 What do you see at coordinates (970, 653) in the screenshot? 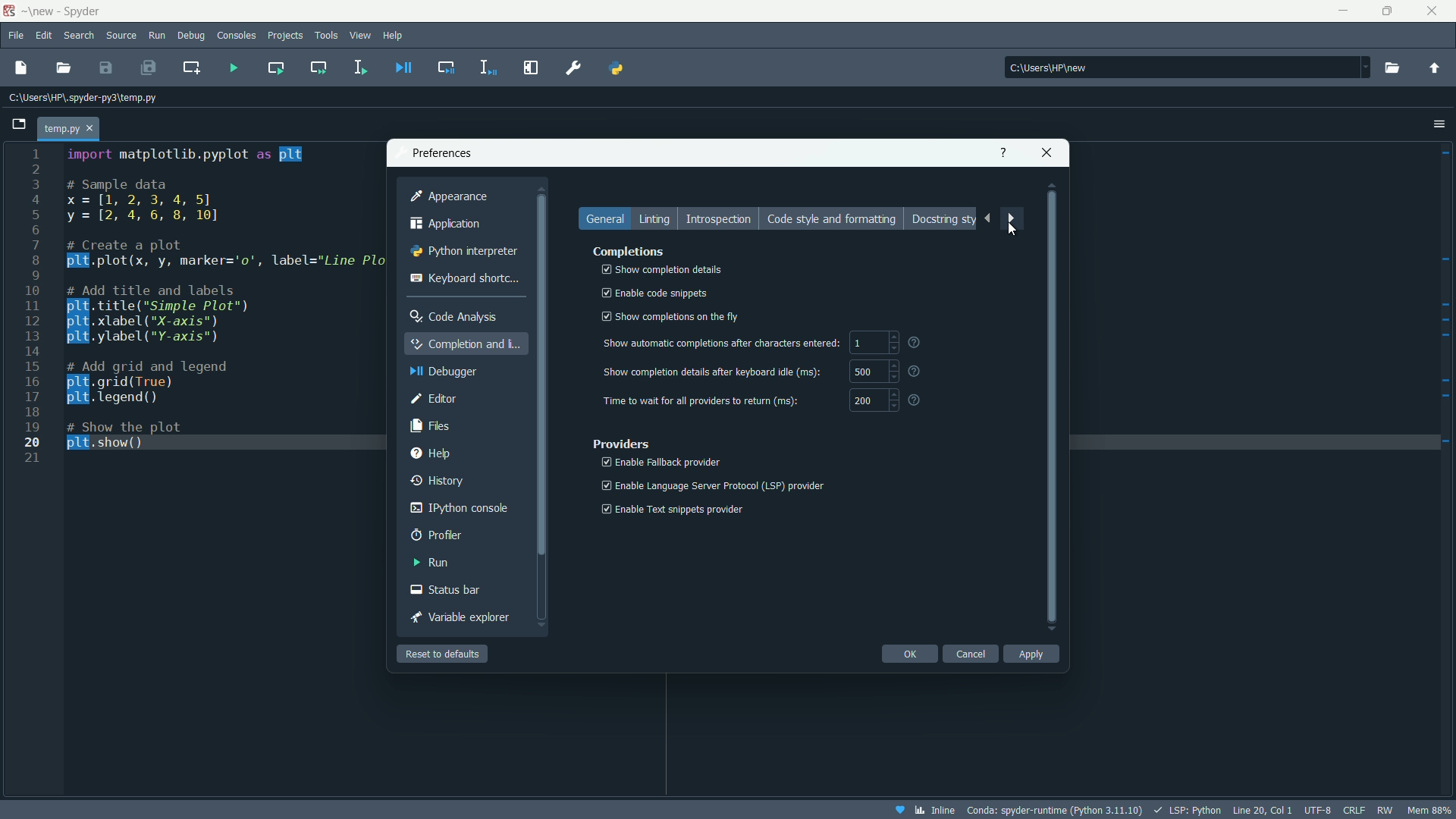
I see `cancel` at bounding box center [970, 653].